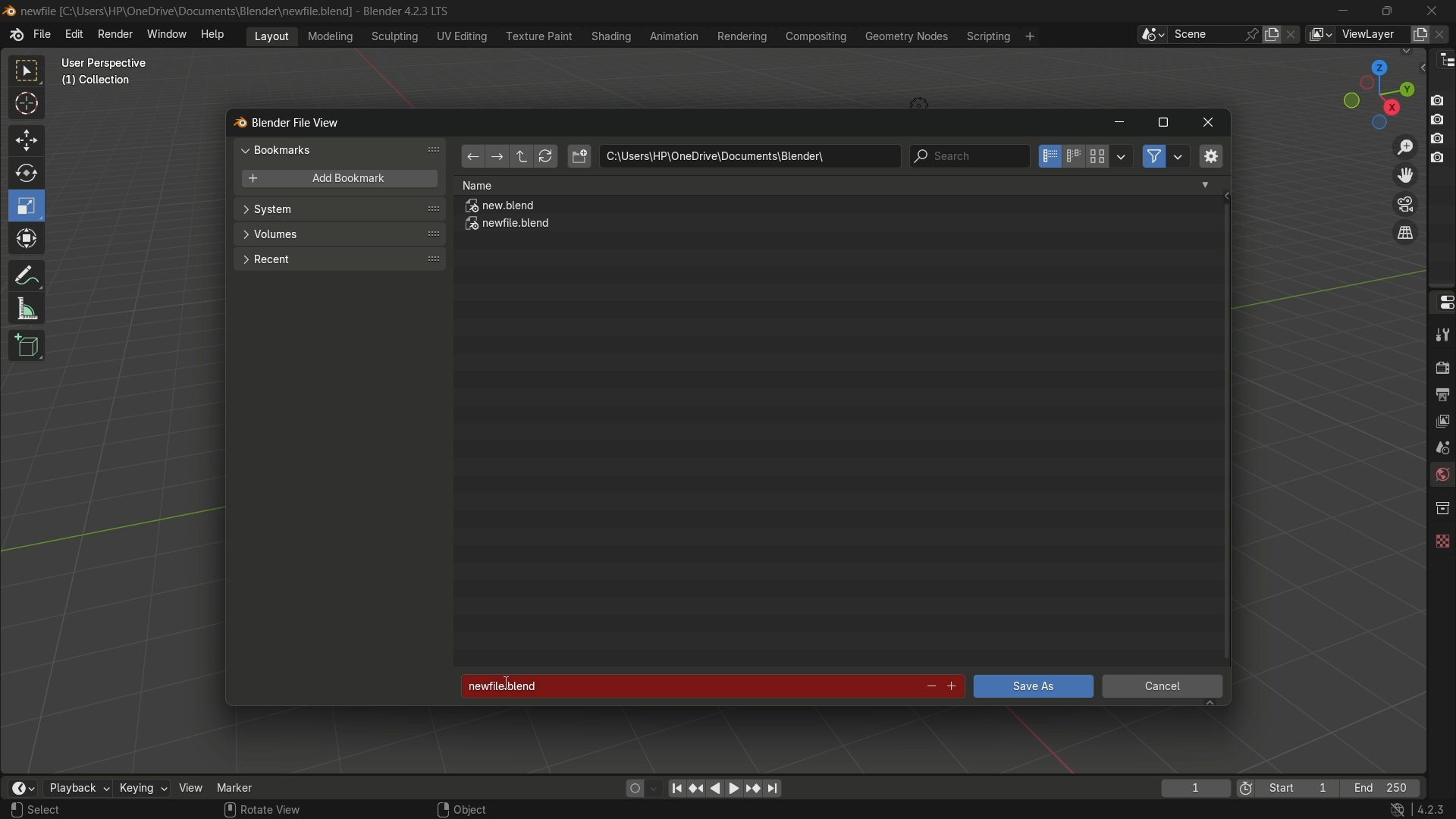  What do you see at coordinates (29, 206) in the screenshot?
I see `scale` at bounding box center [29, 206].